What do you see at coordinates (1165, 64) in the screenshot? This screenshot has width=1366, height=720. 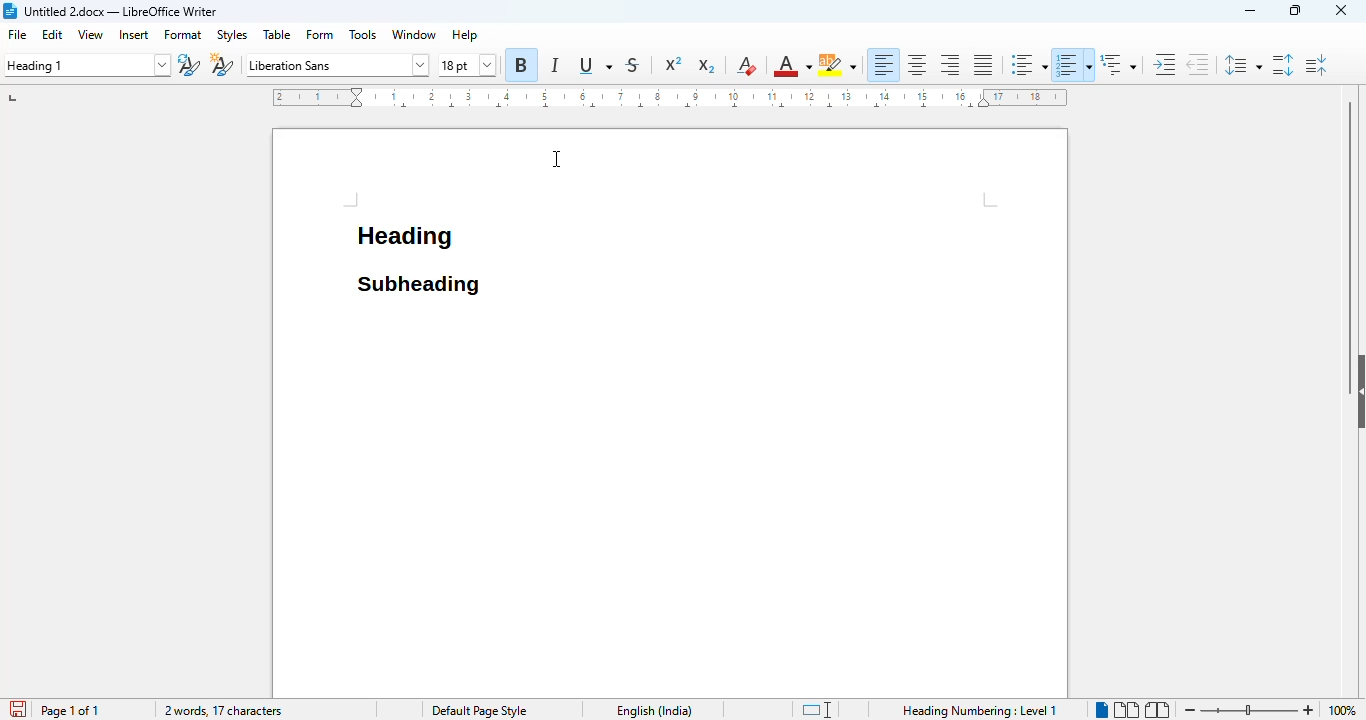 I see `increase indent` at bounding box center [1165, 64].